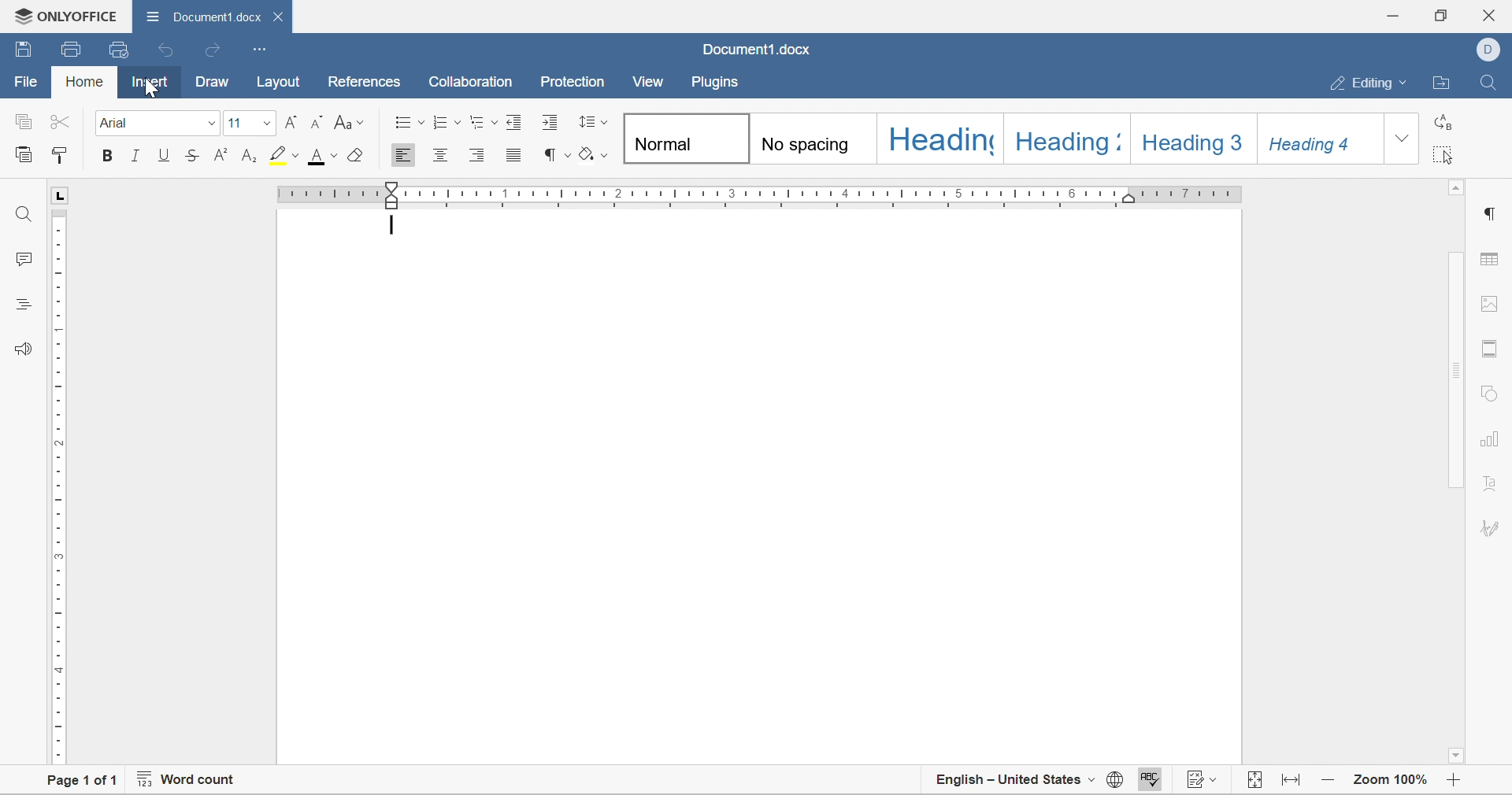  What do you see at coordinates (22, 83) in the screenshot?
I see `File` at bounding box center [22, 83].